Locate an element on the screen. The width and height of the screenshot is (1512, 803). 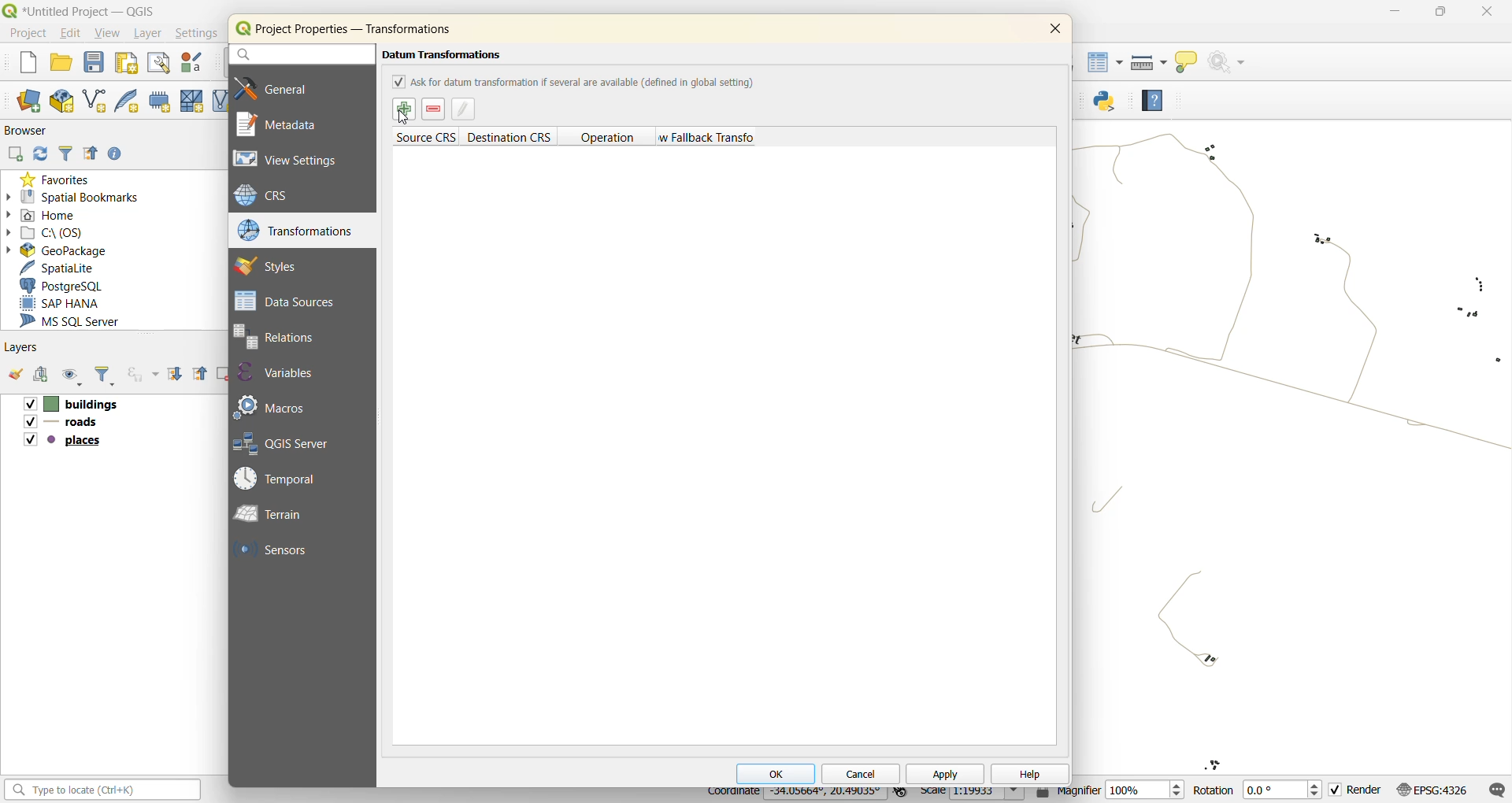
magnifier is located at coordinates (1110, 792).